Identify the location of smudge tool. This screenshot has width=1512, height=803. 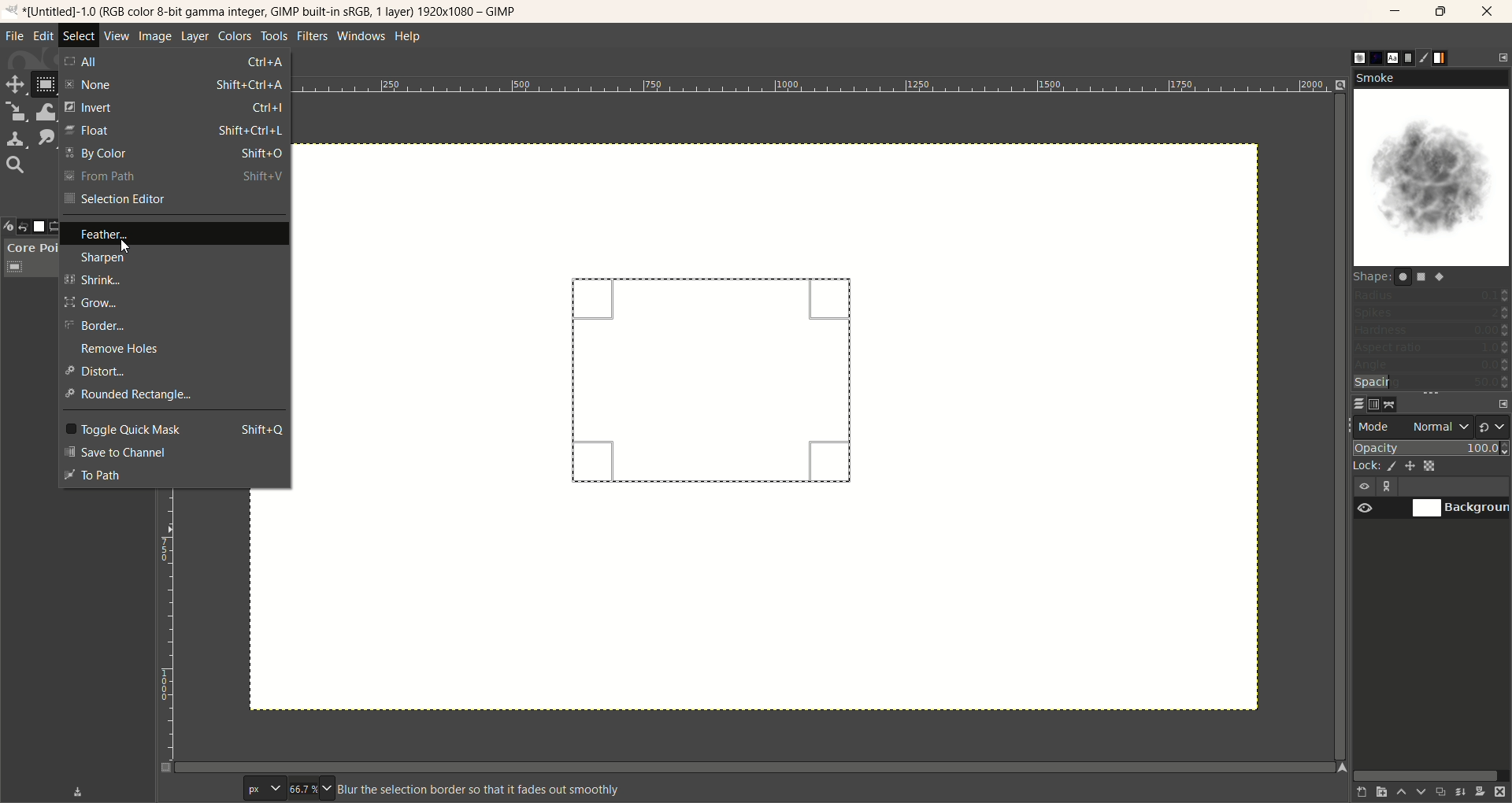
(46, 140).